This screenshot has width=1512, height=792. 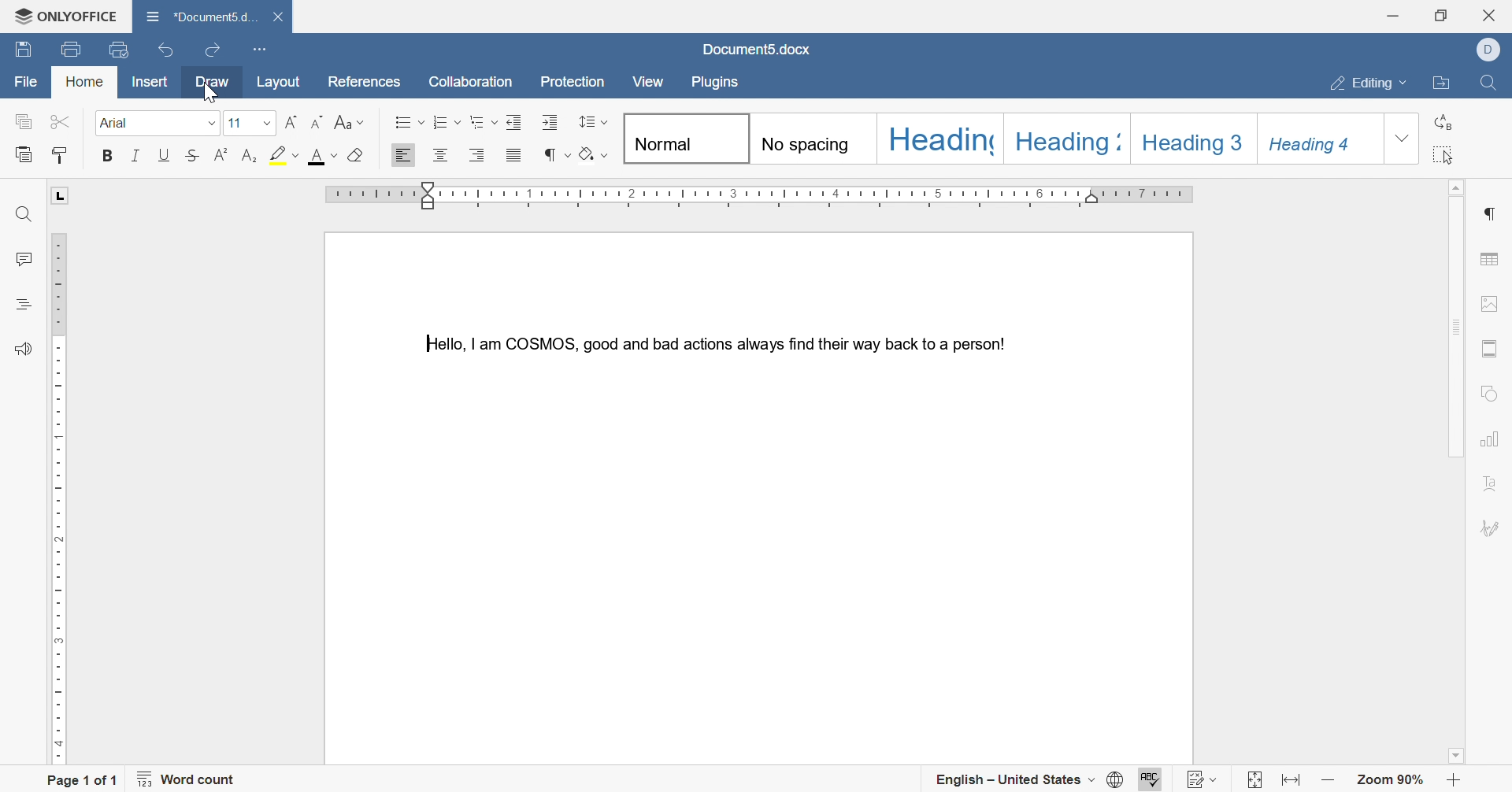 I want to click on text art settings, so click(x=1489, y=487).